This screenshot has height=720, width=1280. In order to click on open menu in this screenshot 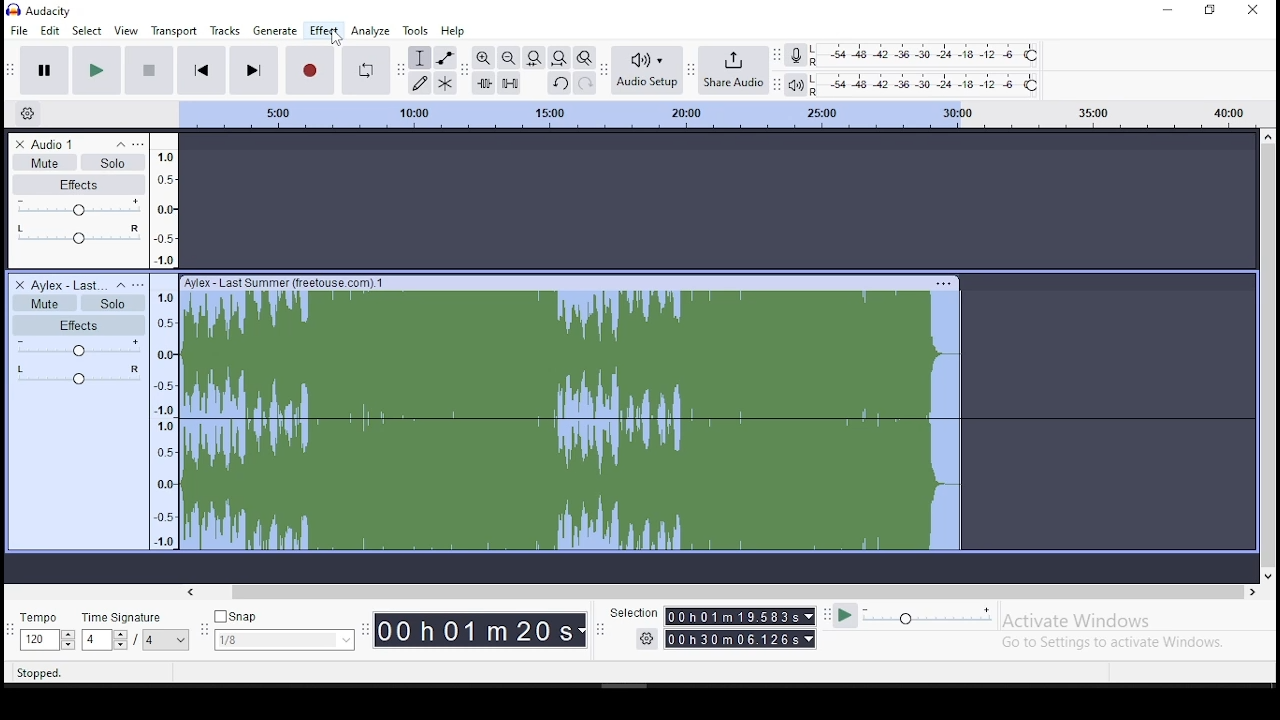, I will do `click(138, 284)`.